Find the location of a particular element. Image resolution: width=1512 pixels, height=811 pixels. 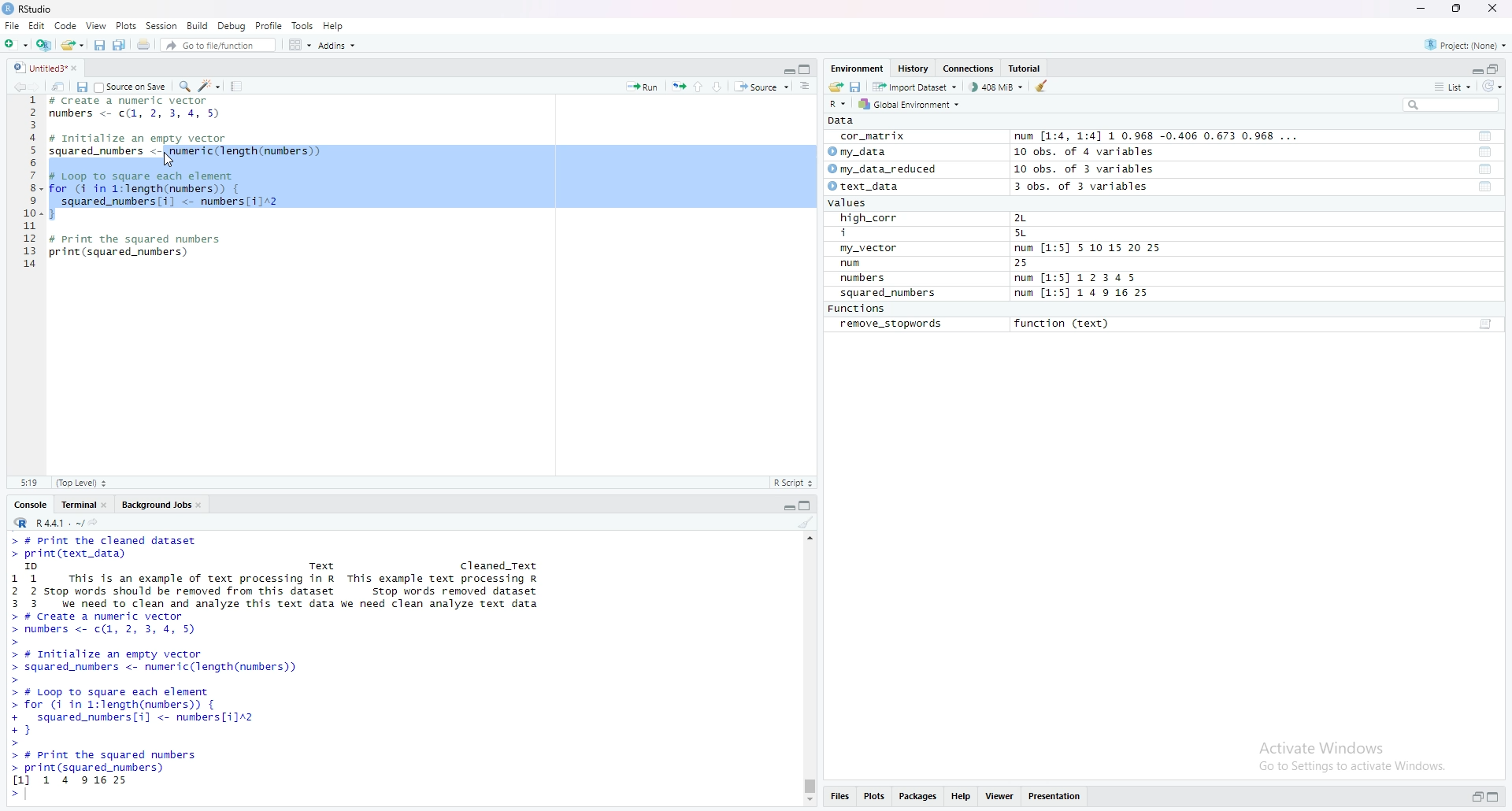

Run is located at coordinates (643, 85).